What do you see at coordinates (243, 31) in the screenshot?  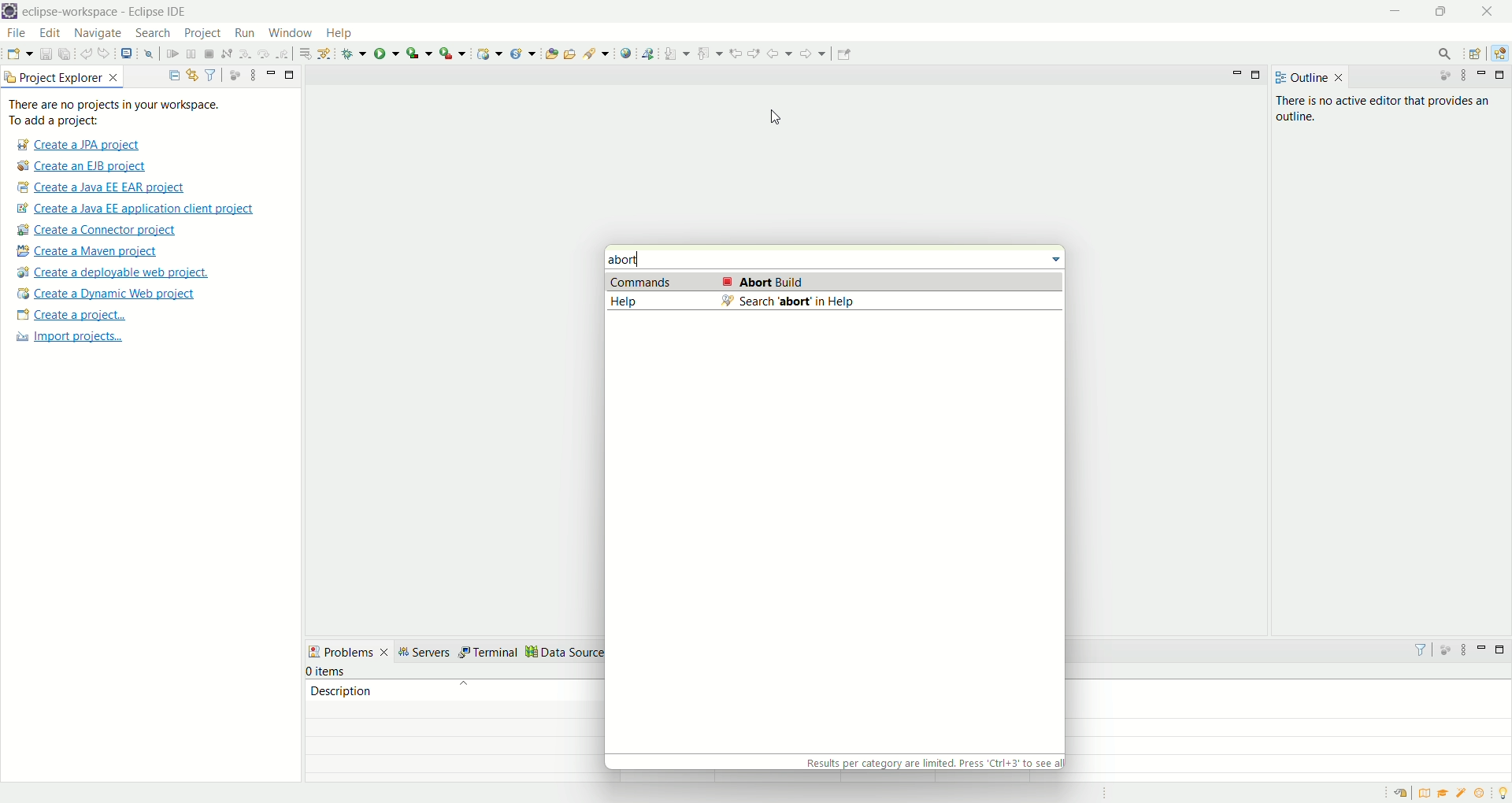 I see `run` at bounding box center [243, 31].